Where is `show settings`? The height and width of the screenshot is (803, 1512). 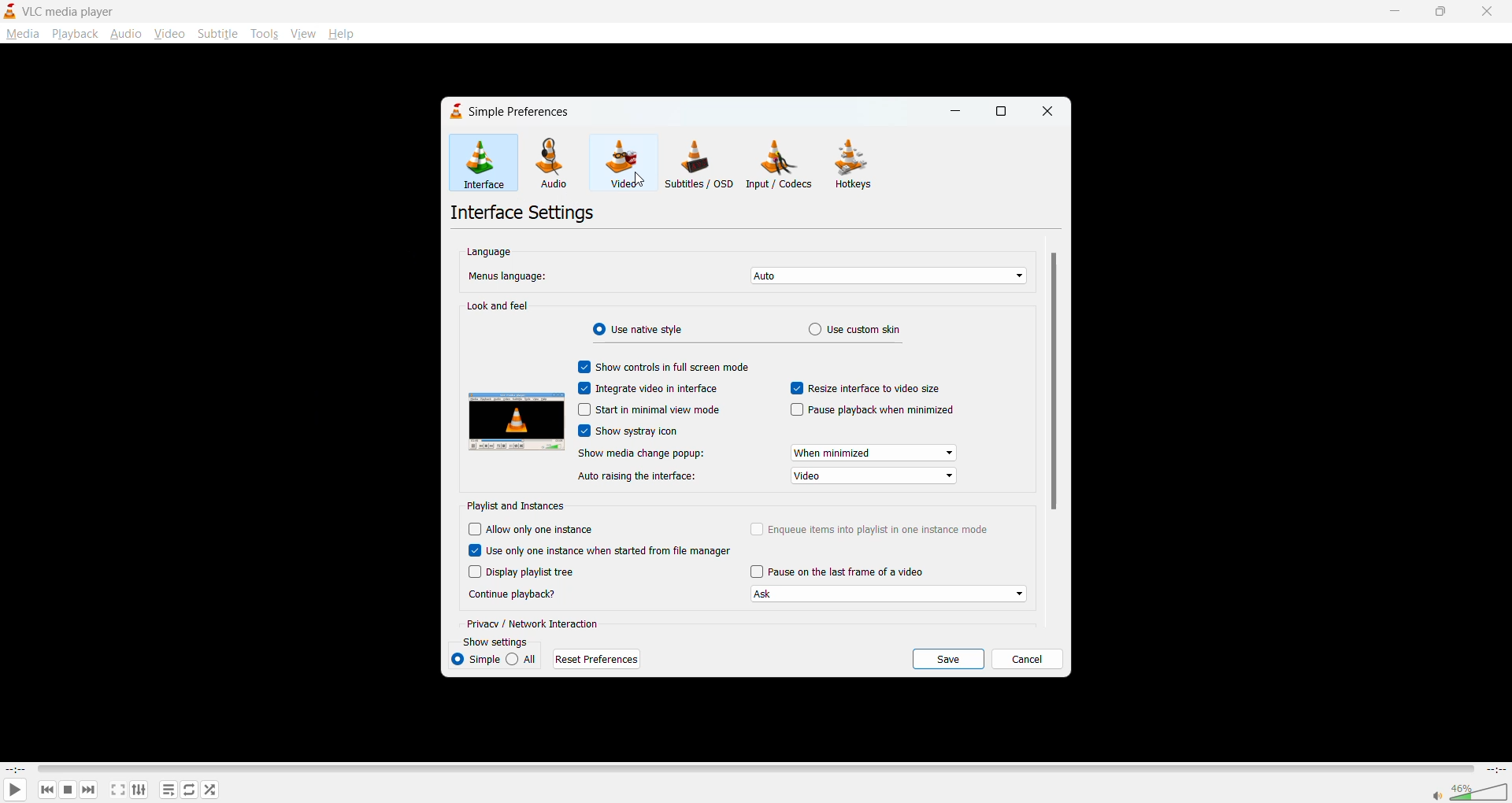
show settings is located at coordinates (502, 642).